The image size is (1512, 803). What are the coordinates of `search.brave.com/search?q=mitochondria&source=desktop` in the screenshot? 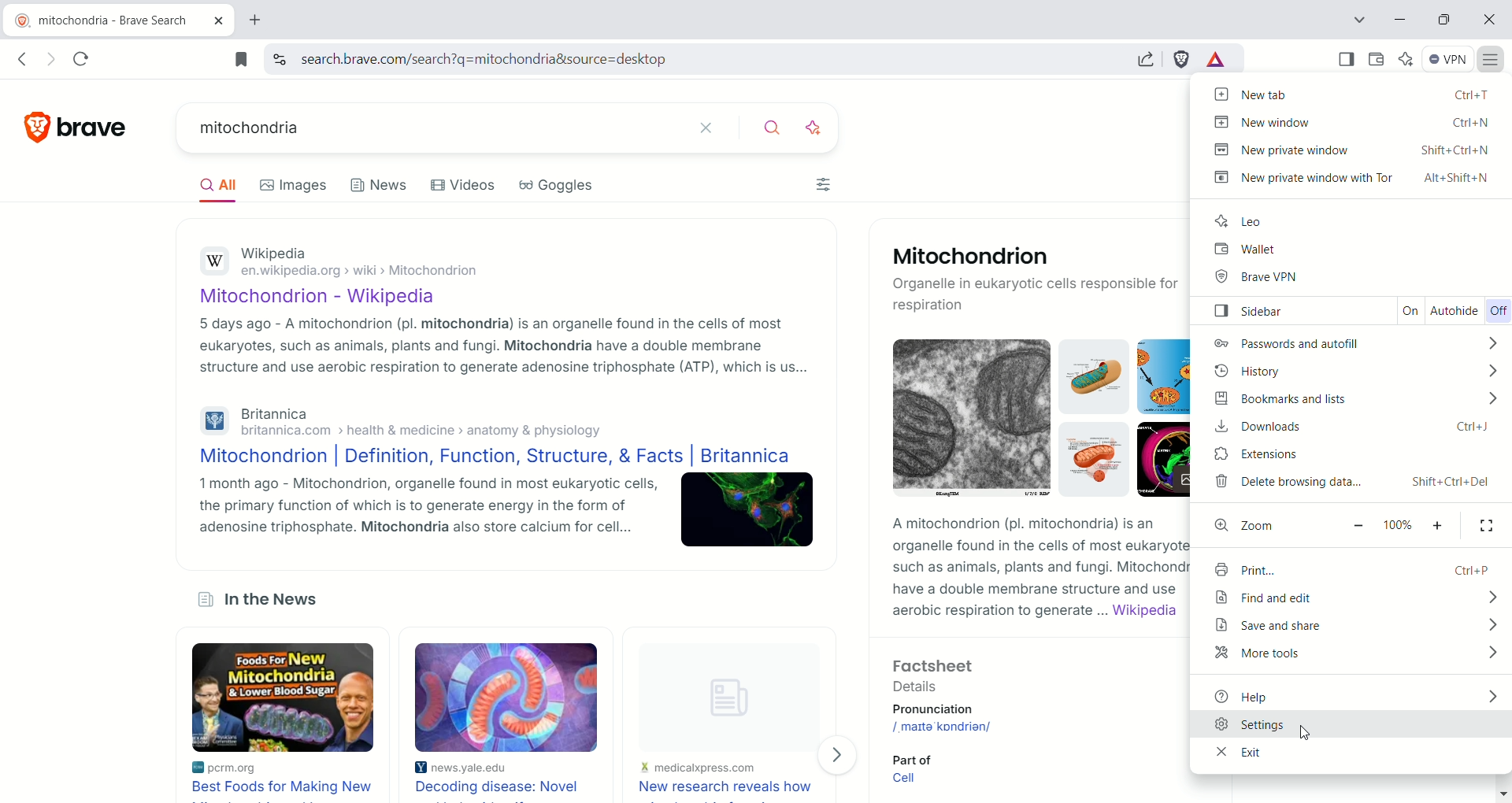 It's located at (691, 61).